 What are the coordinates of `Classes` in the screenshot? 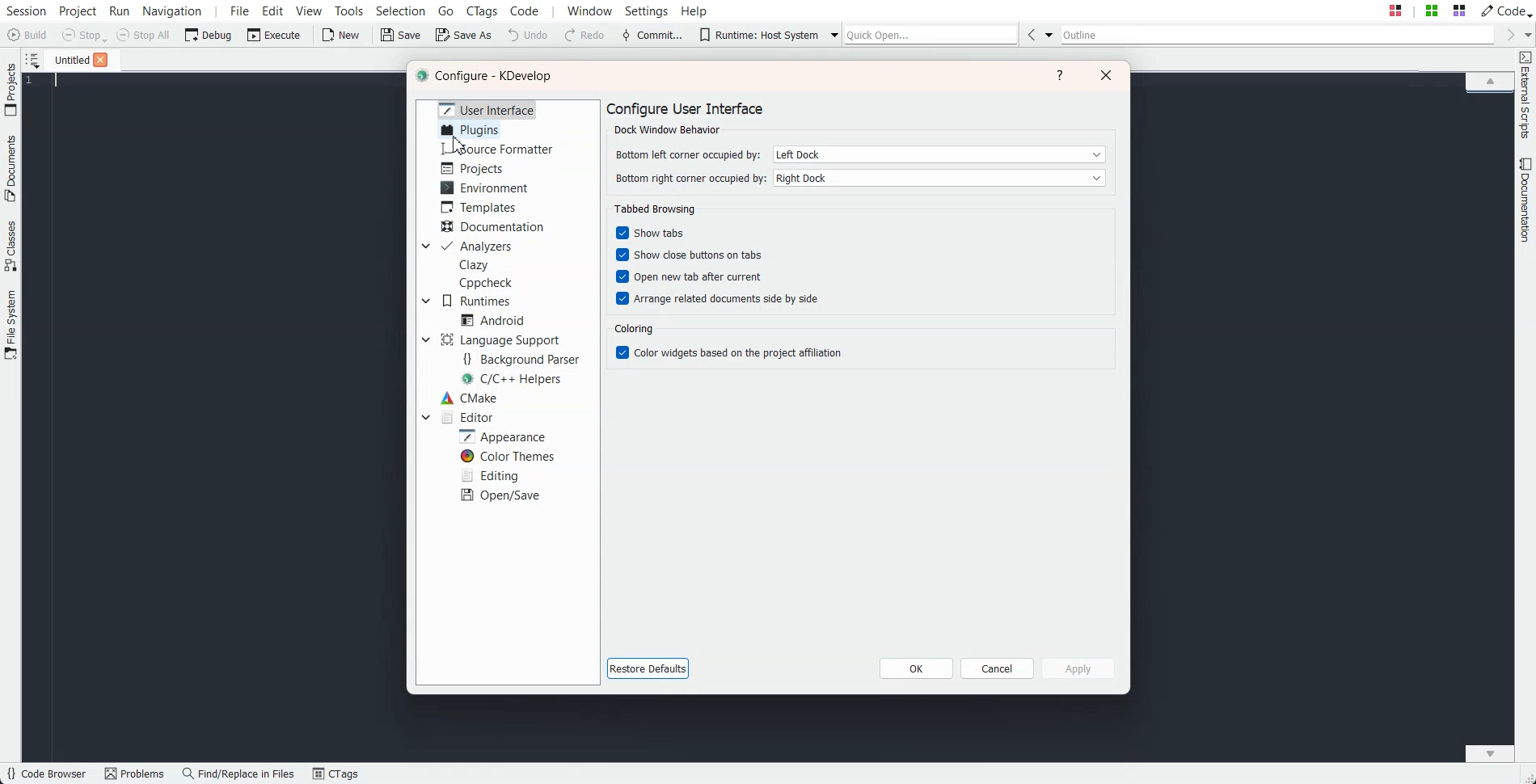 It's located at (11, 246).